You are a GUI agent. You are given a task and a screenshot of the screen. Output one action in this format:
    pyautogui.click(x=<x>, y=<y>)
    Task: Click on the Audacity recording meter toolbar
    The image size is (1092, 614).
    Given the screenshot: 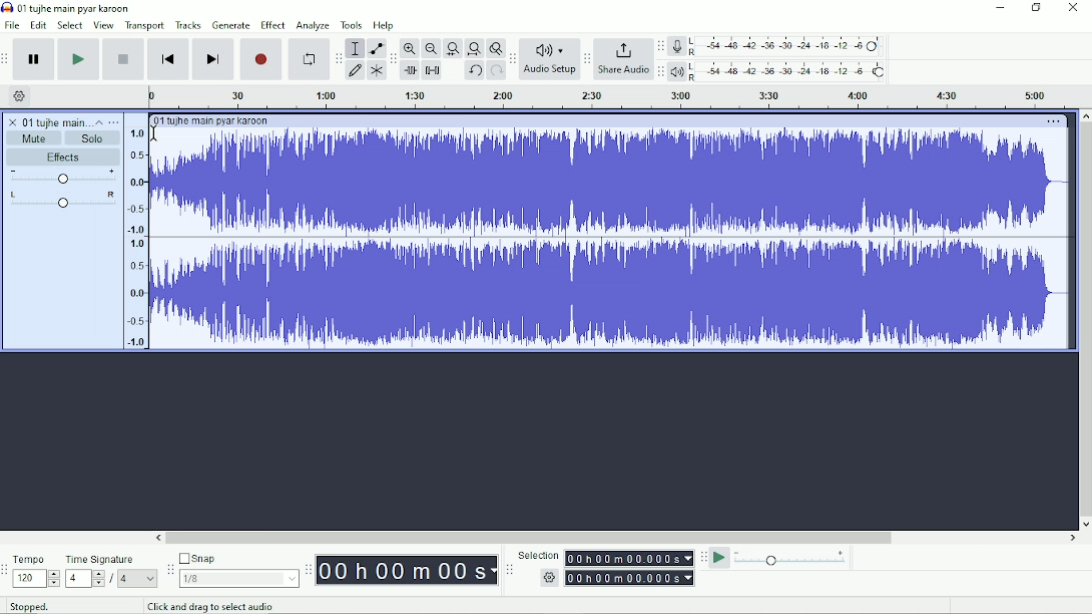 What is the action you would take?
    pyautogui.click(x=661, y=46)
    